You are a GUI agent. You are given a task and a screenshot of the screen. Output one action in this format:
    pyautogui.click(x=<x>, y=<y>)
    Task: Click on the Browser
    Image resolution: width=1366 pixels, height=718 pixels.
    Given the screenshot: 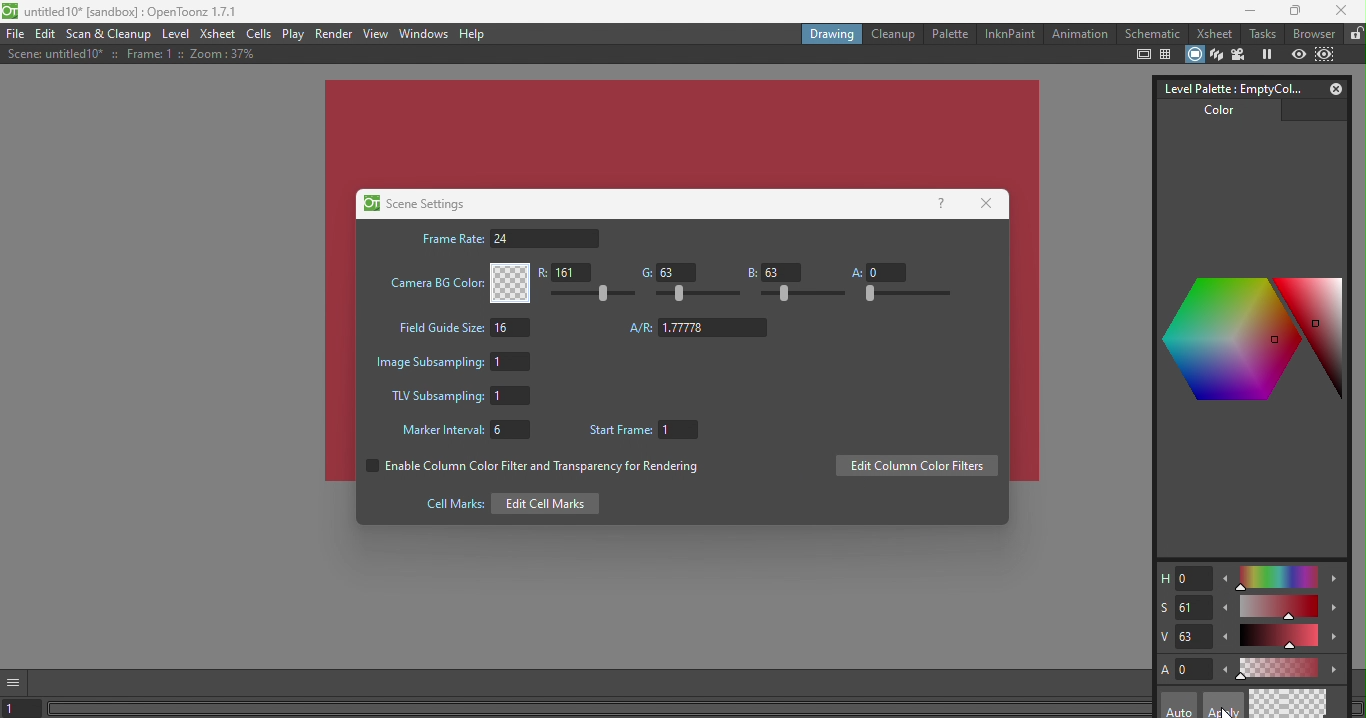 What is the action you would take?
    pyautogui.click(x=1312, y=33)
    